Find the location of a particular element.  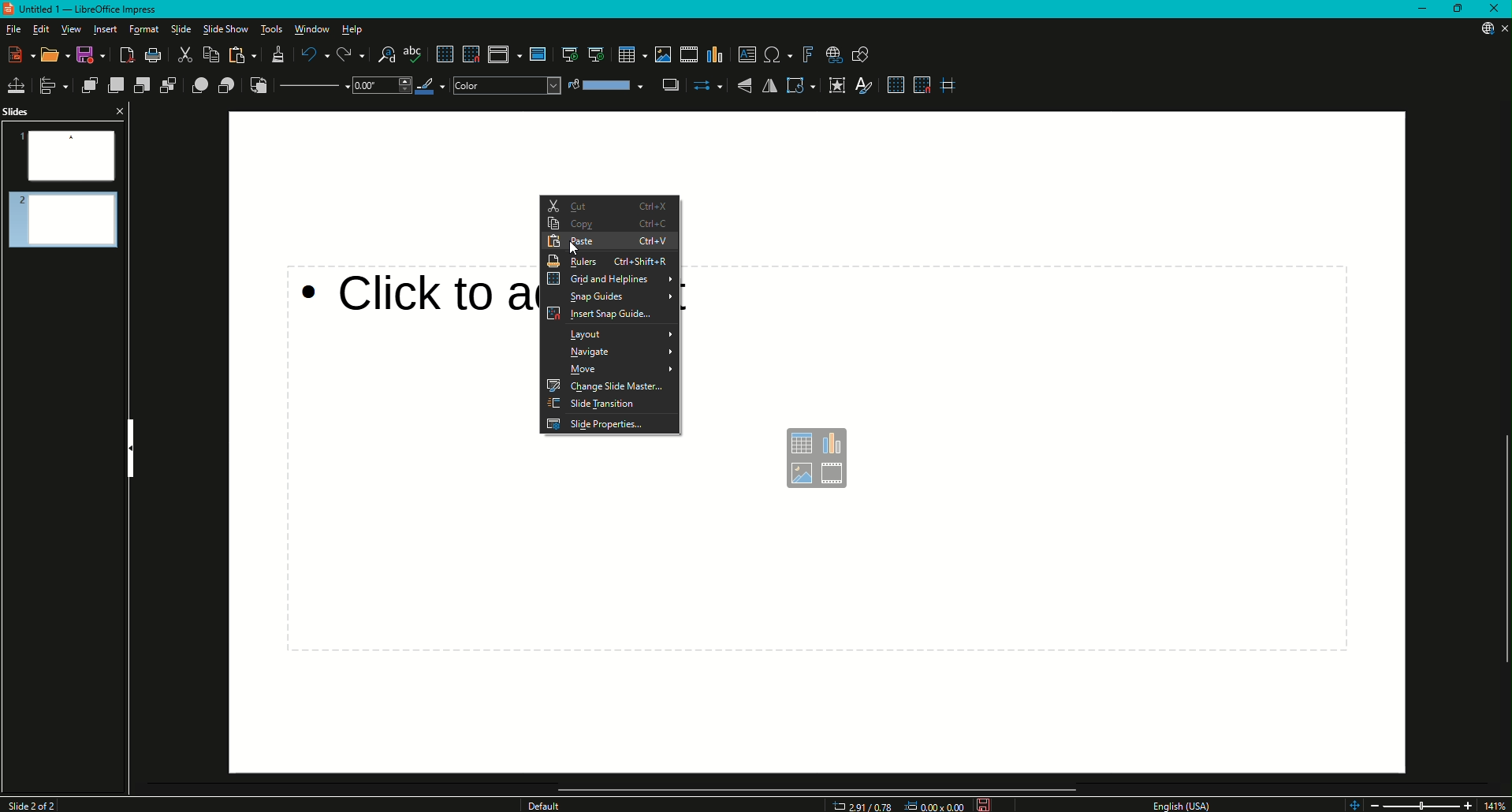

 is located at coordinates (547, 806).